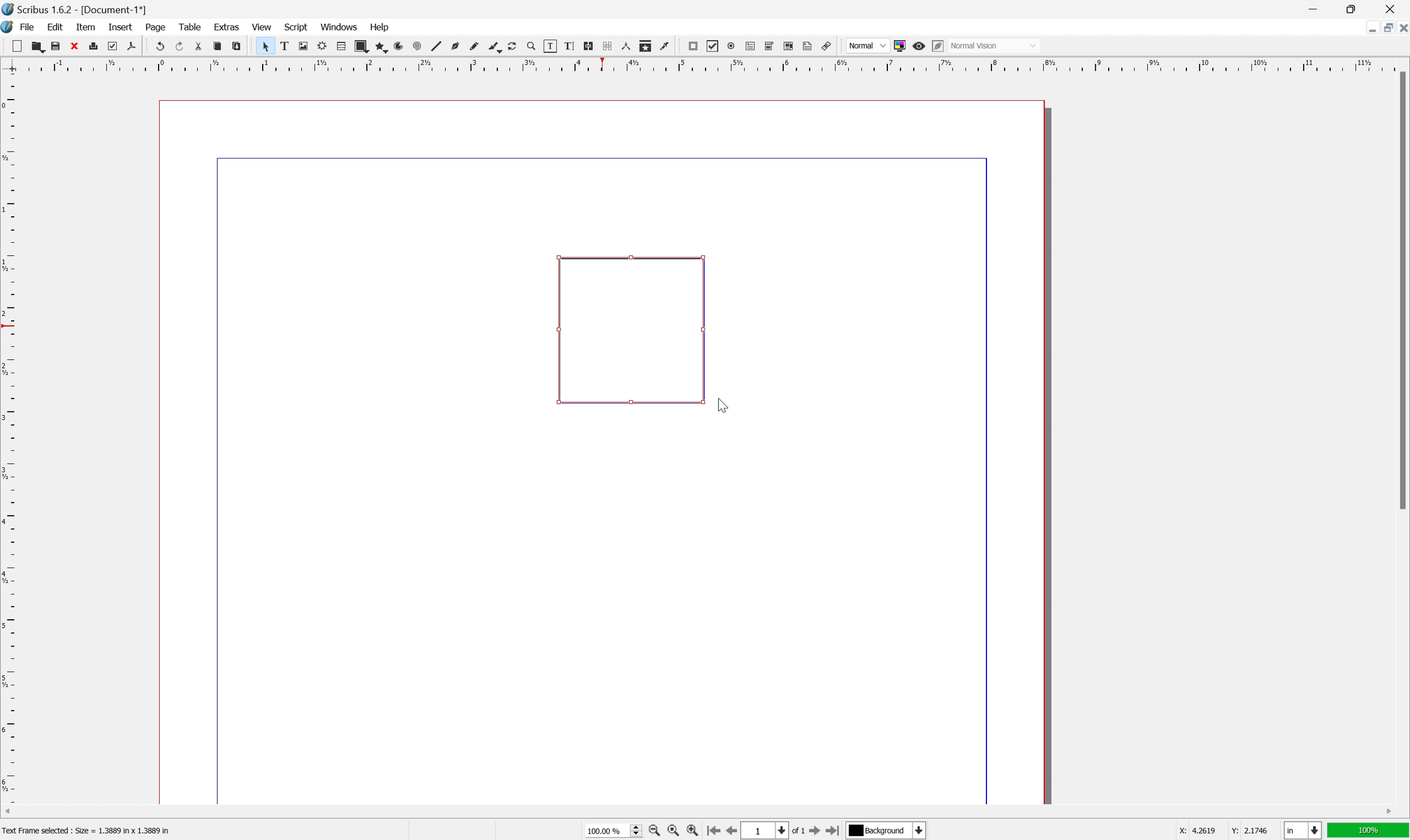 Image resolution: width=1410 pixels, height=840 pixels. What do you see at coordinates (93, 45) in the screenshot?
I see `print` at bounding box center [93, 45].